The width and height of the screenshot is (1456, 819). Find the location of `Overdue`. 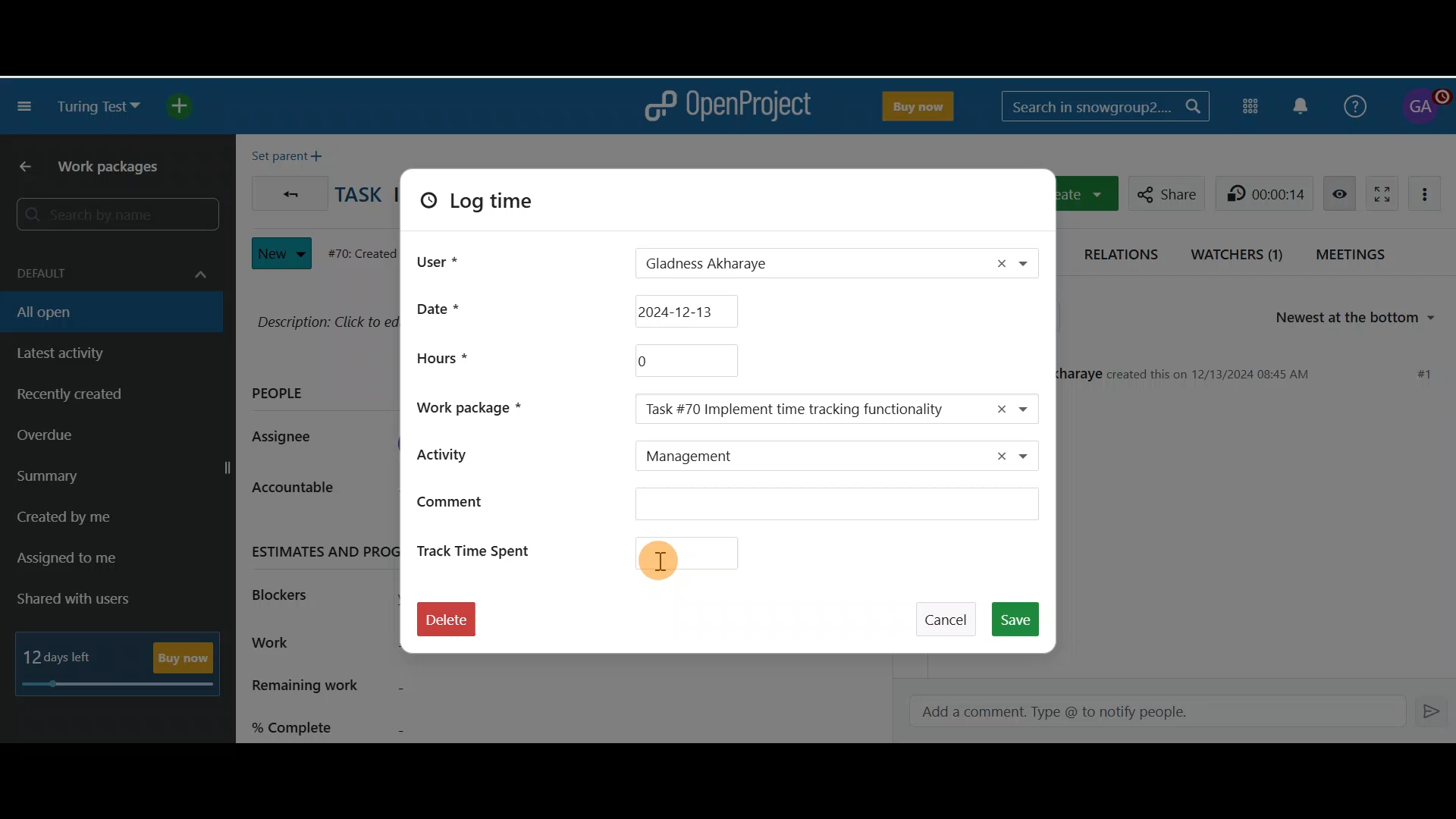

Overdue is located at coordinates (86, 440).